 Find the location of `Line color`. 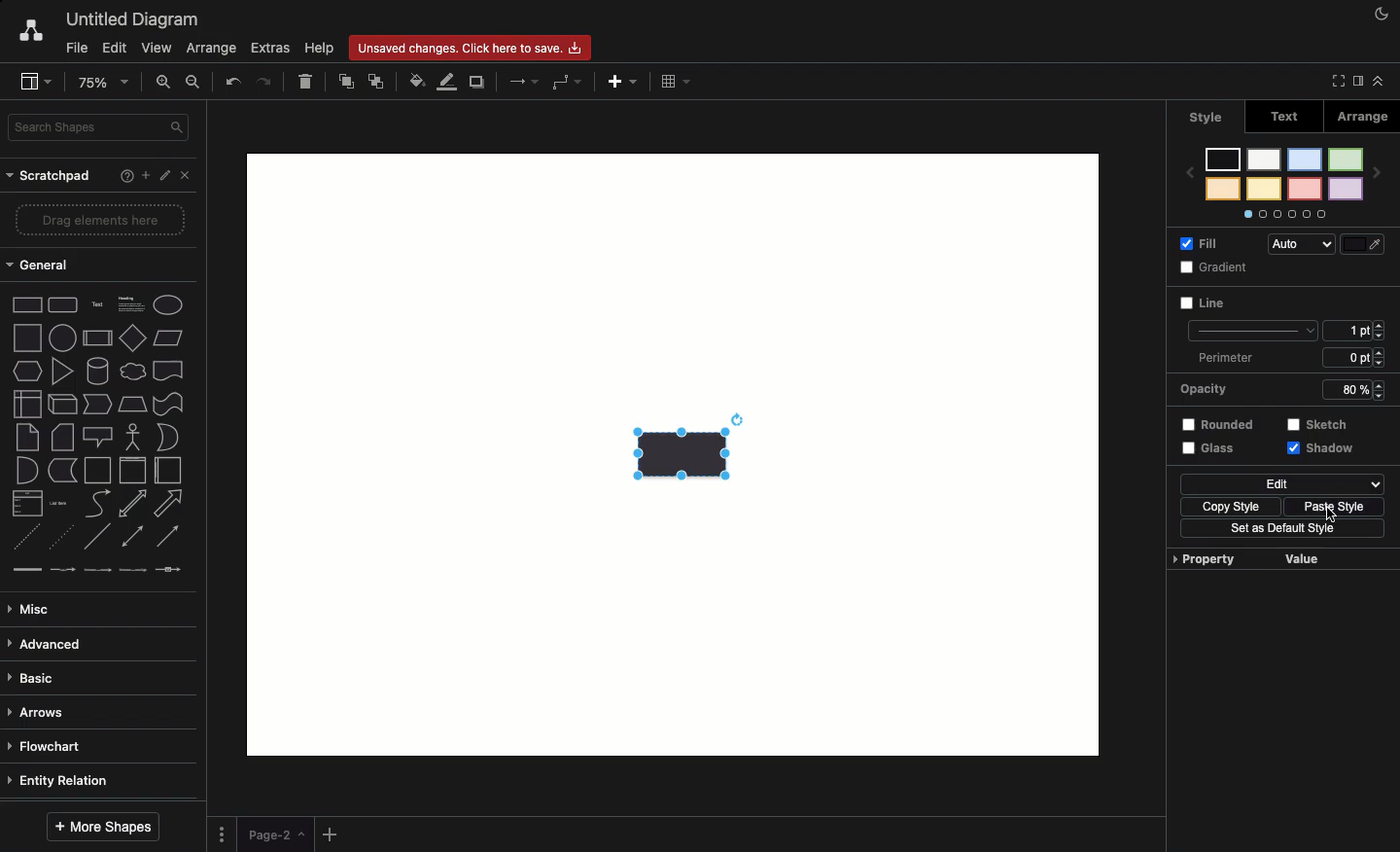

Line color is located at coordinates (446, 83).